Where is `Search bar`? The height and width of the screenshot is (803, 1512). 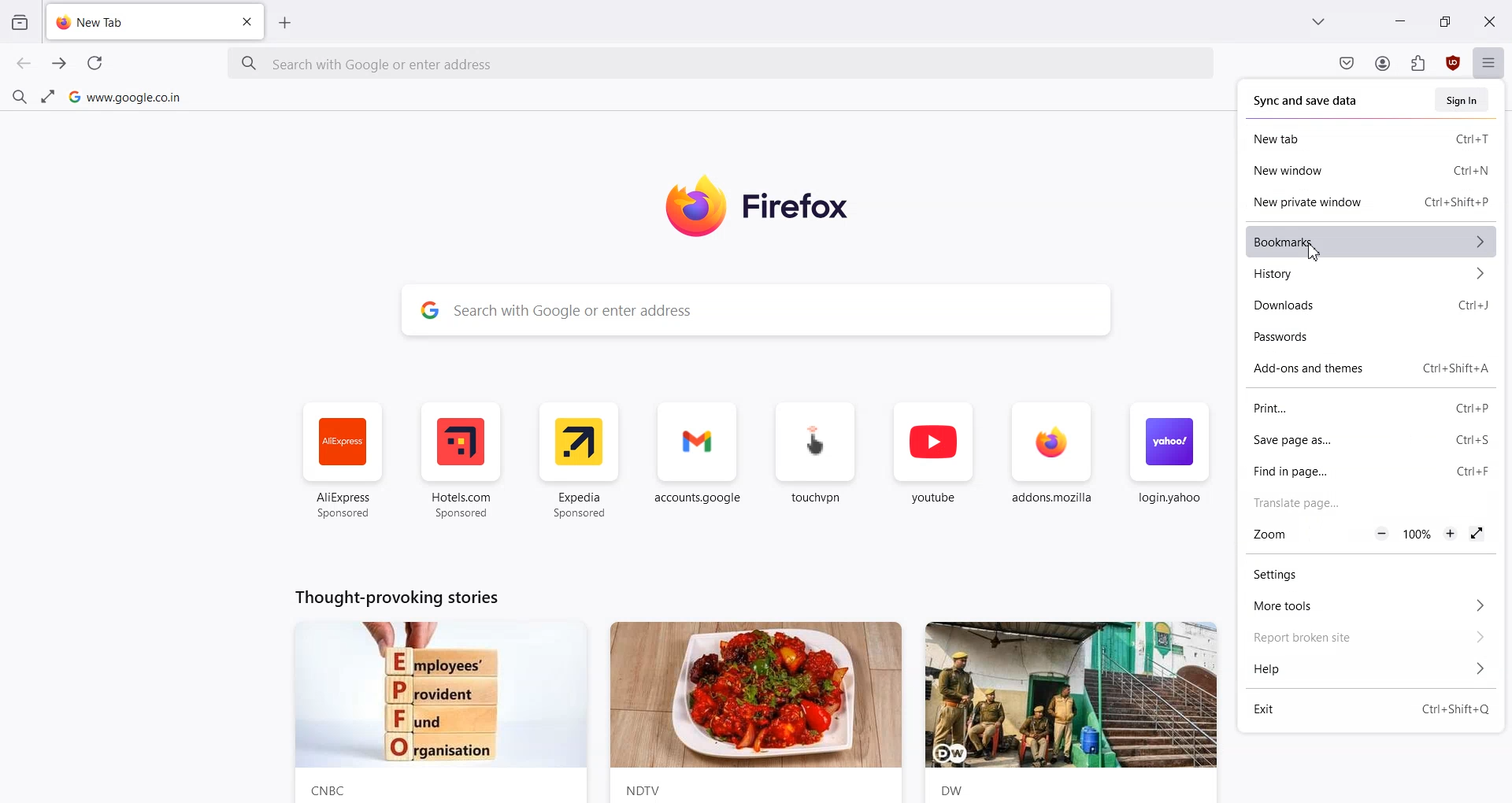
Search bar is located at coordinates (721, 65).